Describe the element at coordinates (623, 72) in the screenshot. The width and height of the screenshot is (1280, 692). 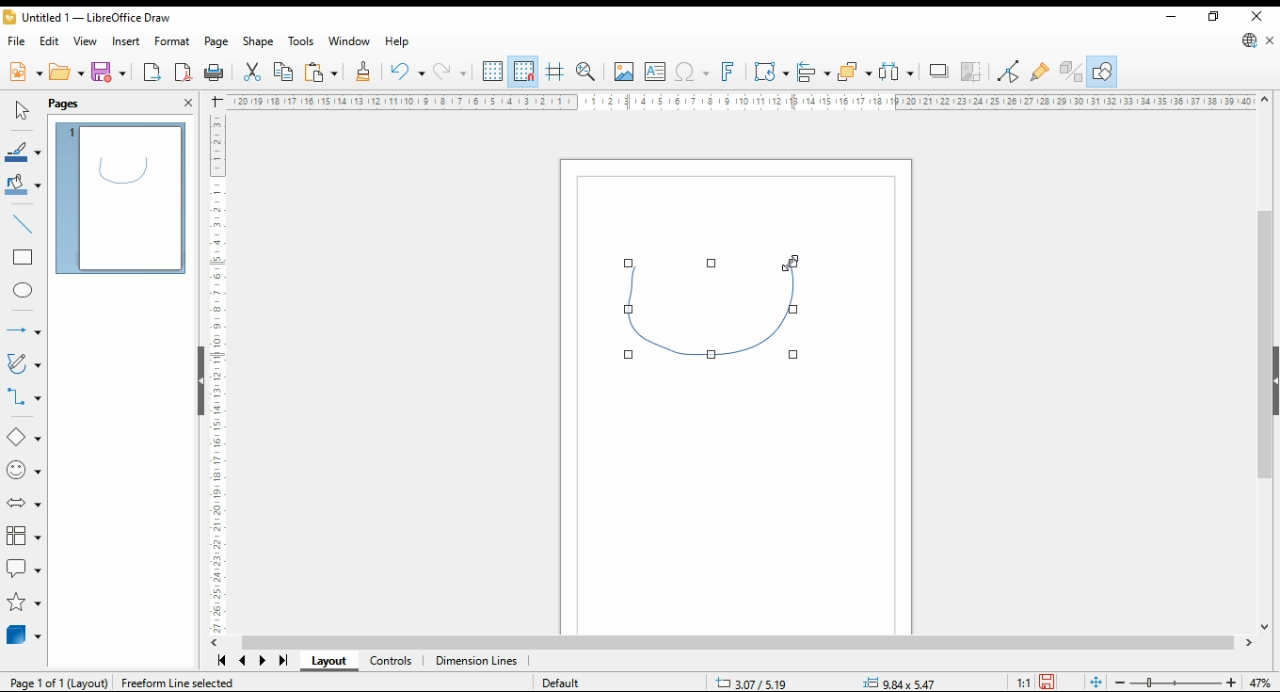
I see `insert image` at that location.